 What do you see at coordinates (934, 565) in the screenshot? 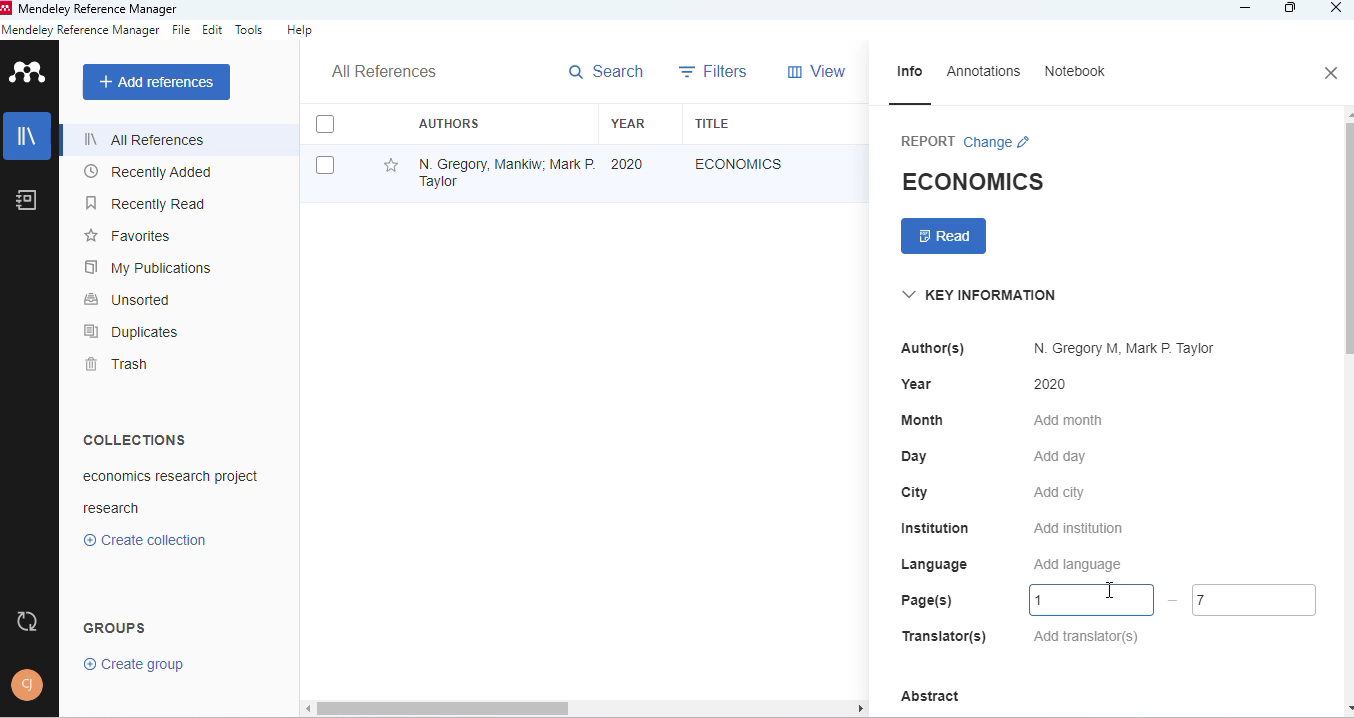
I see `` at bounding box center [934, 565].